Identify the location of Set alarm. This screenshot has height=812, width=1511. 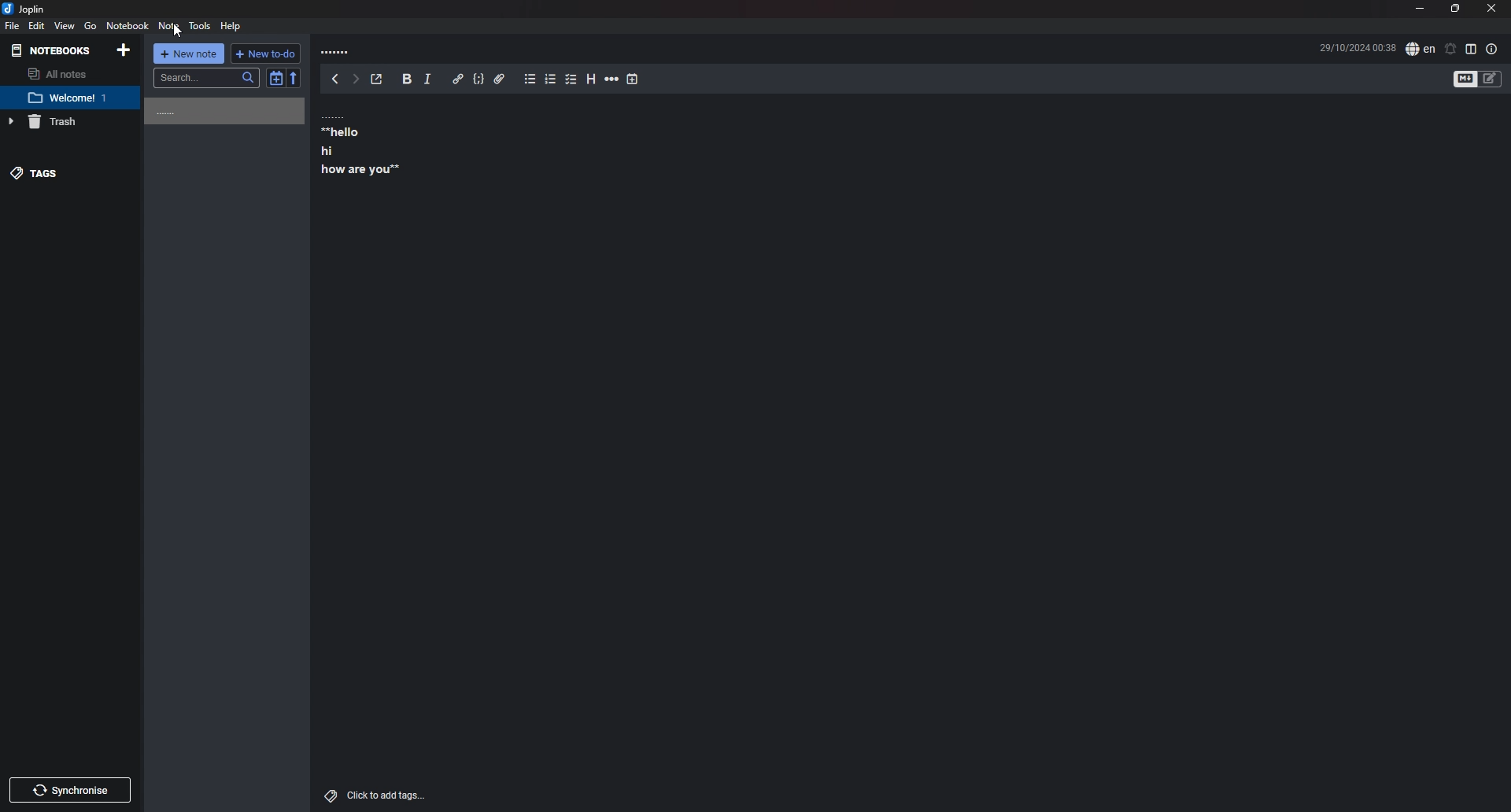
(1452, 50).